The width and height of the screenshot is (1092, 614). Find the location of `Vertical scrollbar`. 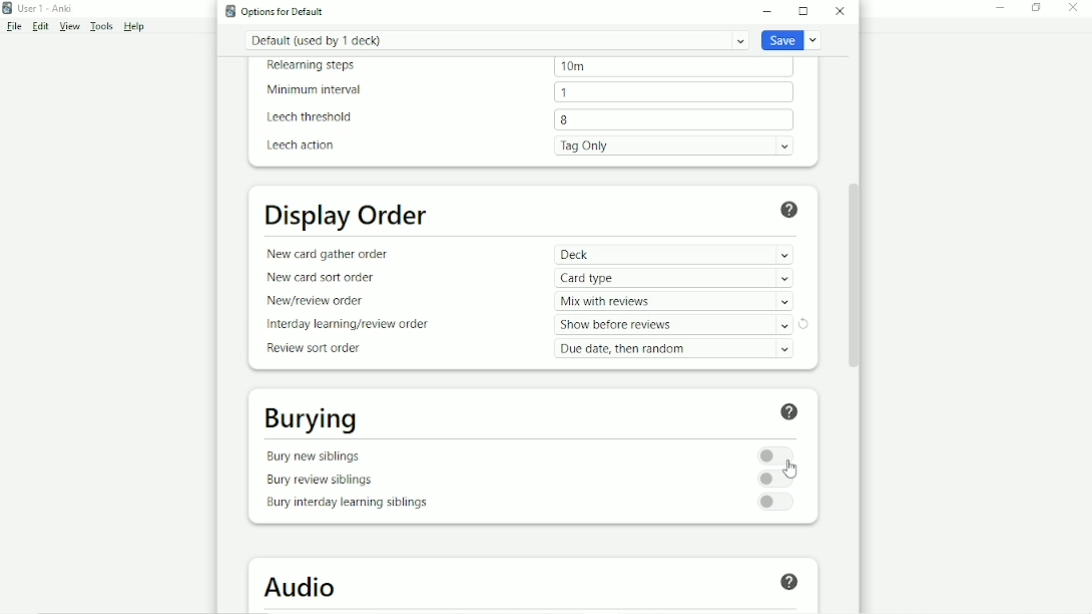

Vertical scrollbar is located at coordinates (860, 267).